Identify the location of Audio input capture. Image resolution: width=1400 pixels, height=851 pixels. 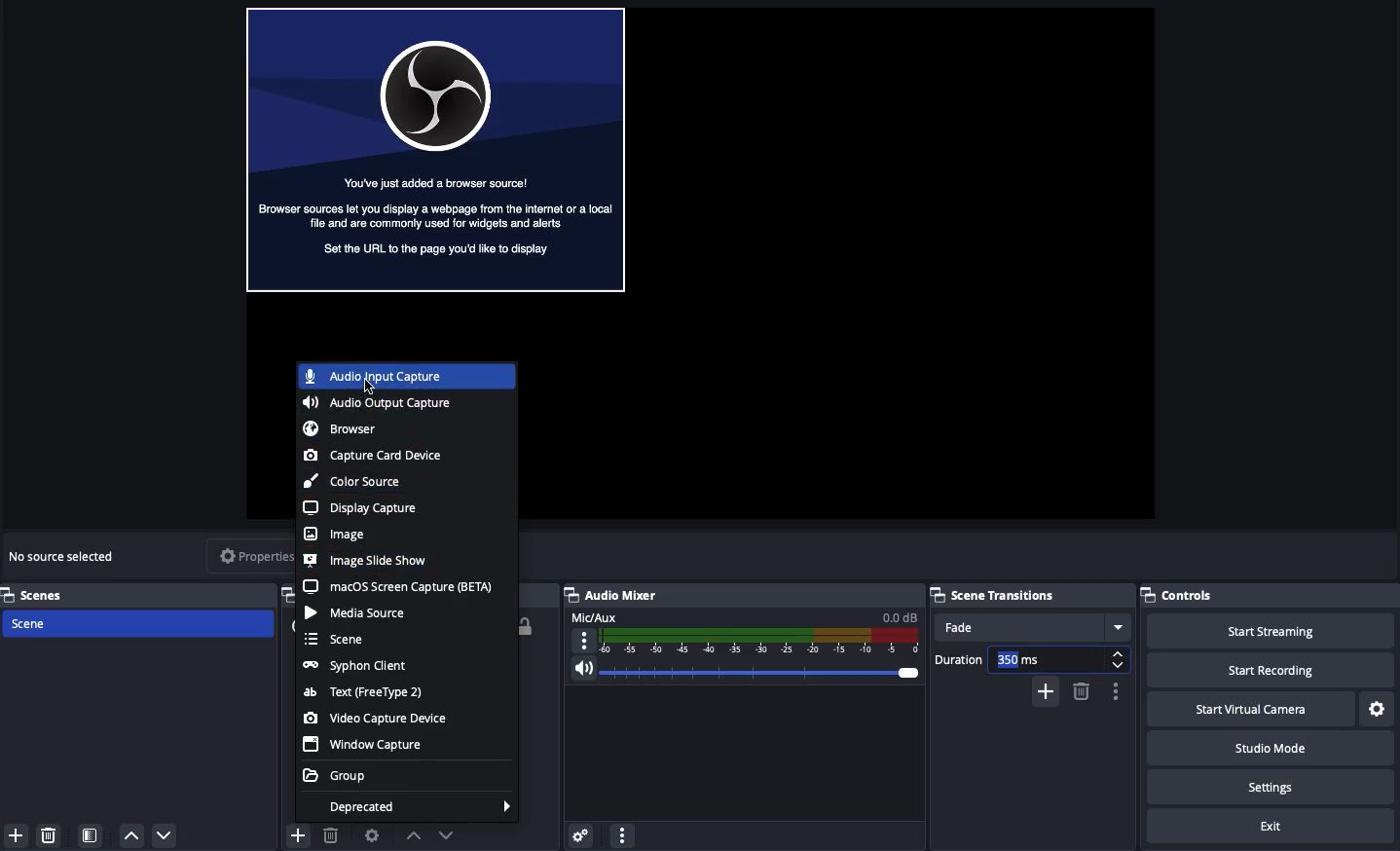
(378, 377).